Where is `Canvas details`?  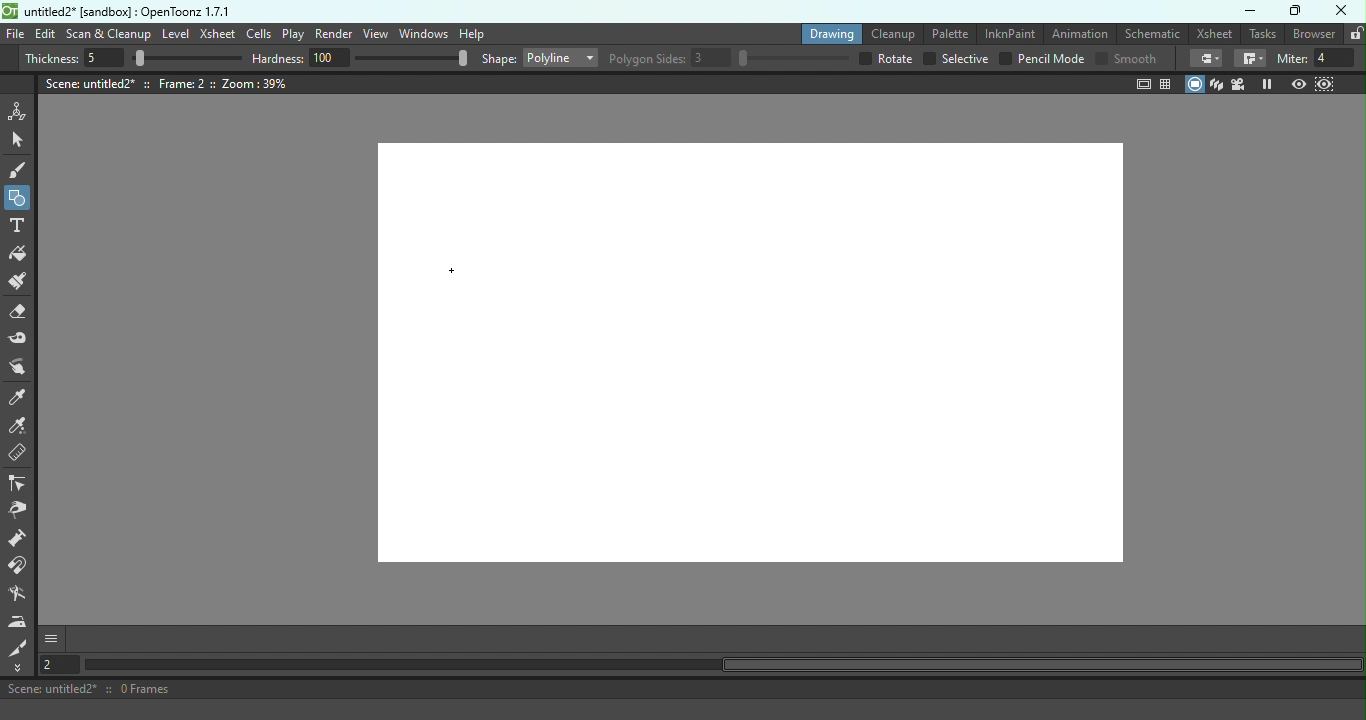
Canvas details is located at coordinates (167, 84).